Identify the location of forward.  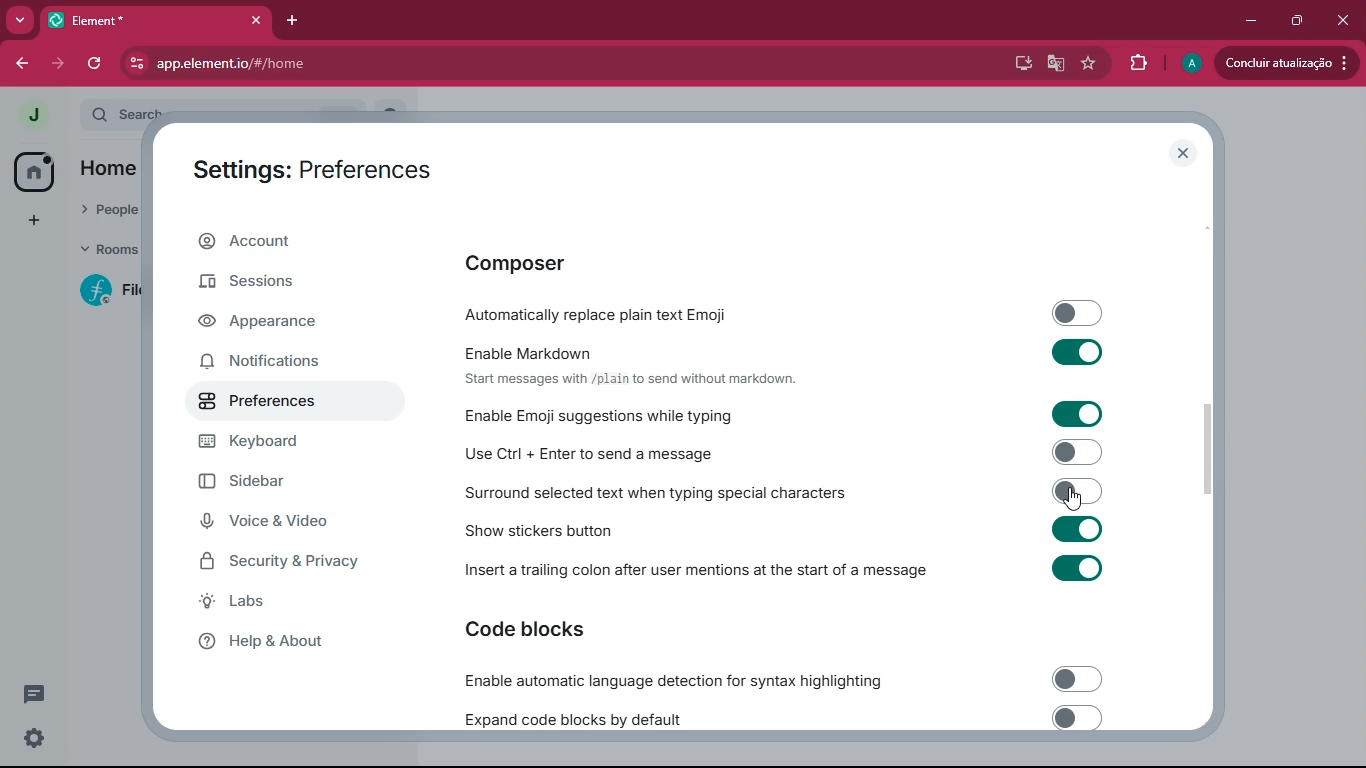
(56, 64).